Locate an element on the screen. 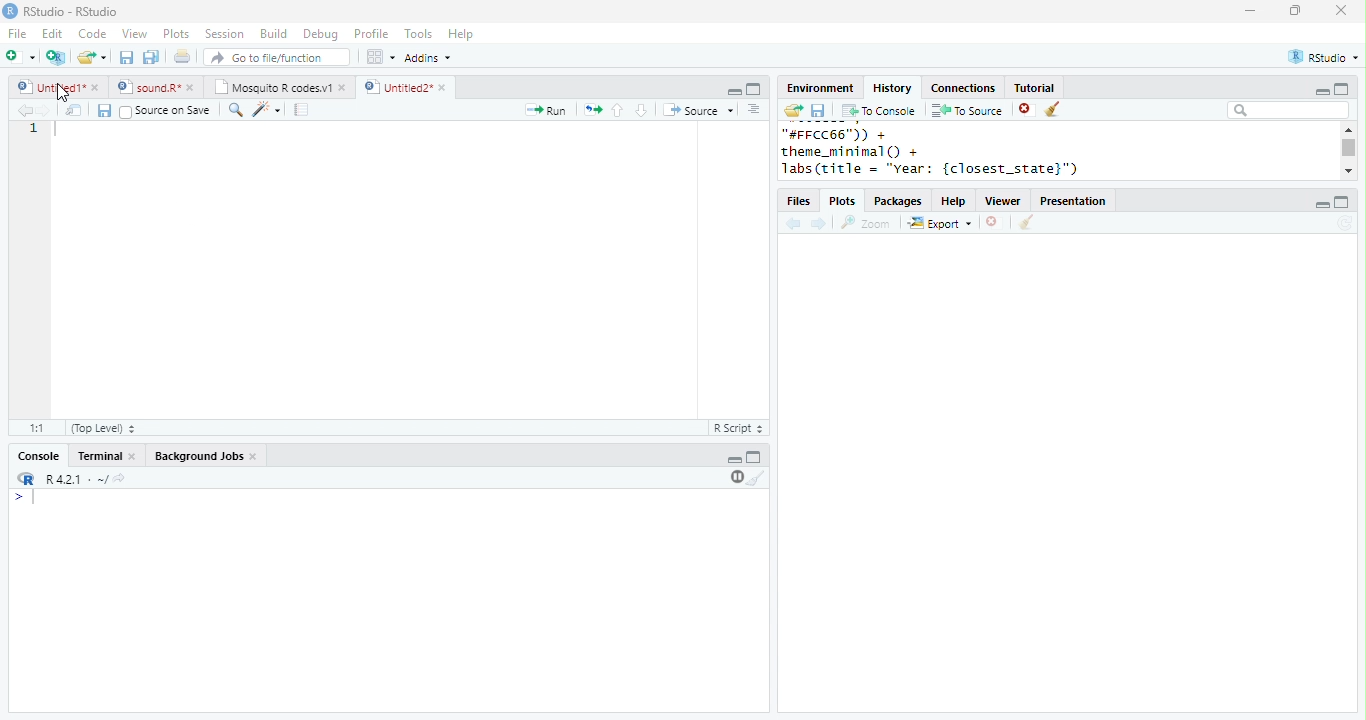 The image size is (1366, 720). Files is located at coordinates (798, 201).